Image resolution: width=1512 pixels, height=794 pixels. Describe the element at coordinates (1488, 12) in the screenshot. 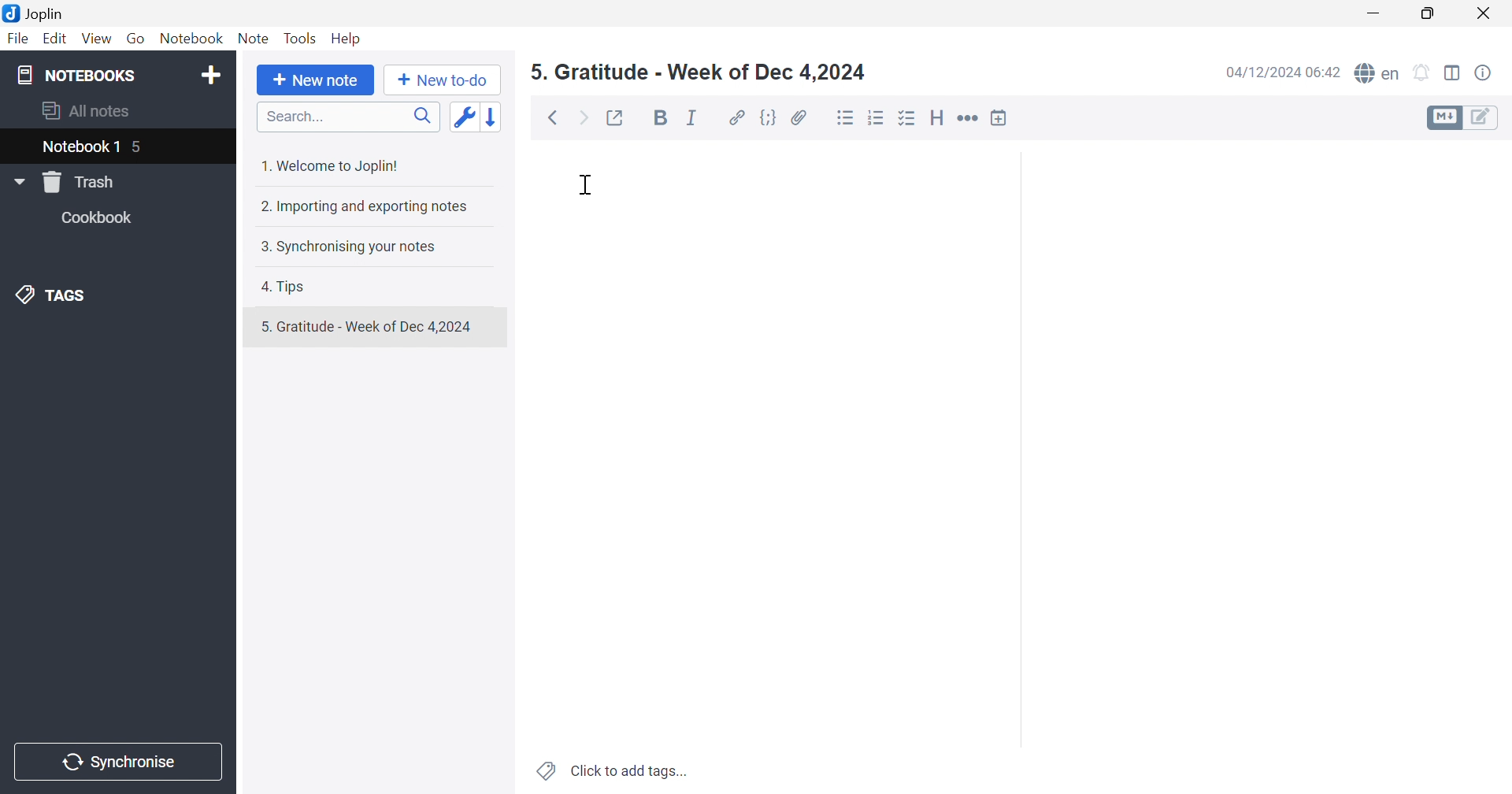

I see `Close` at that location.